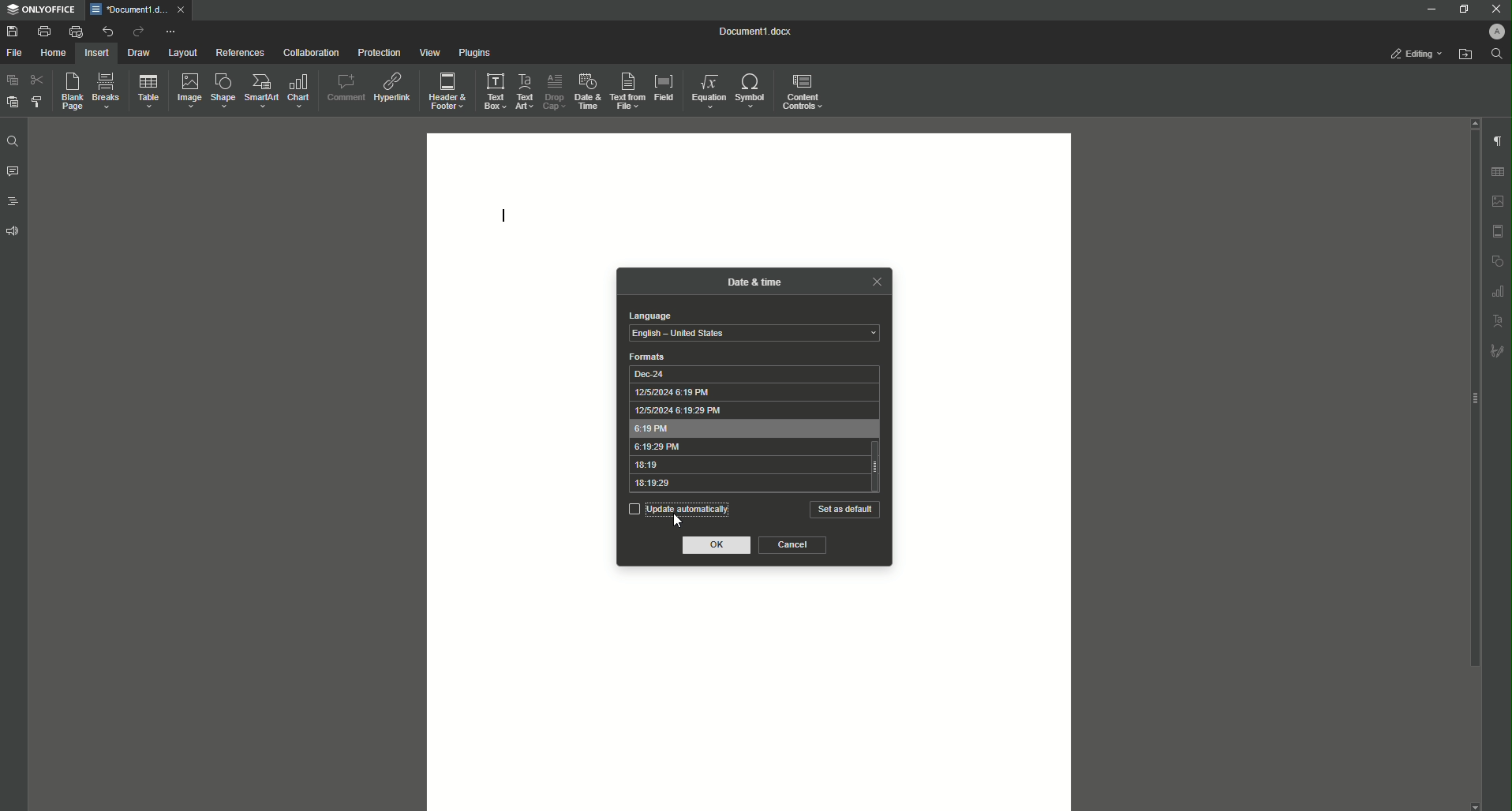  Describe the element at coordinates (664, 88) in the screenshot. I see `Field` at that location.